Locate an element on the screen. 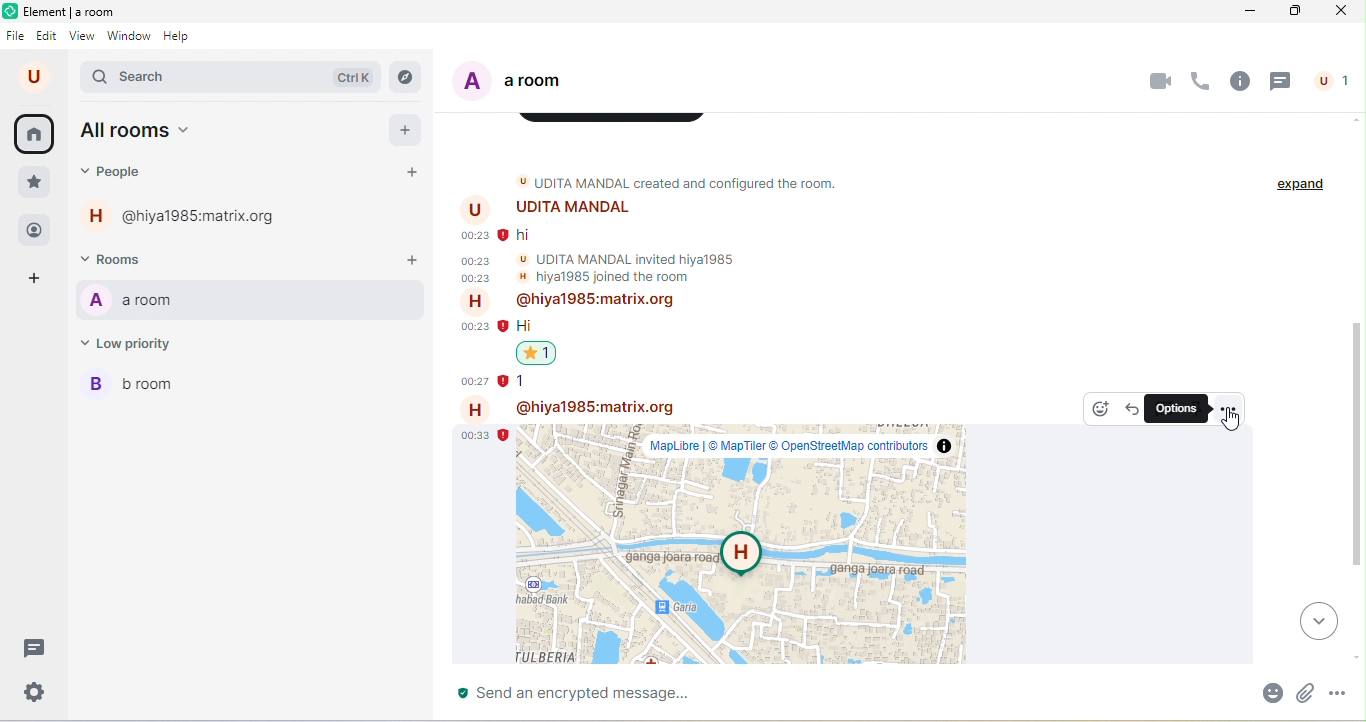 The image size is (1366, 722). rooms is located at coordinates (116, 257).